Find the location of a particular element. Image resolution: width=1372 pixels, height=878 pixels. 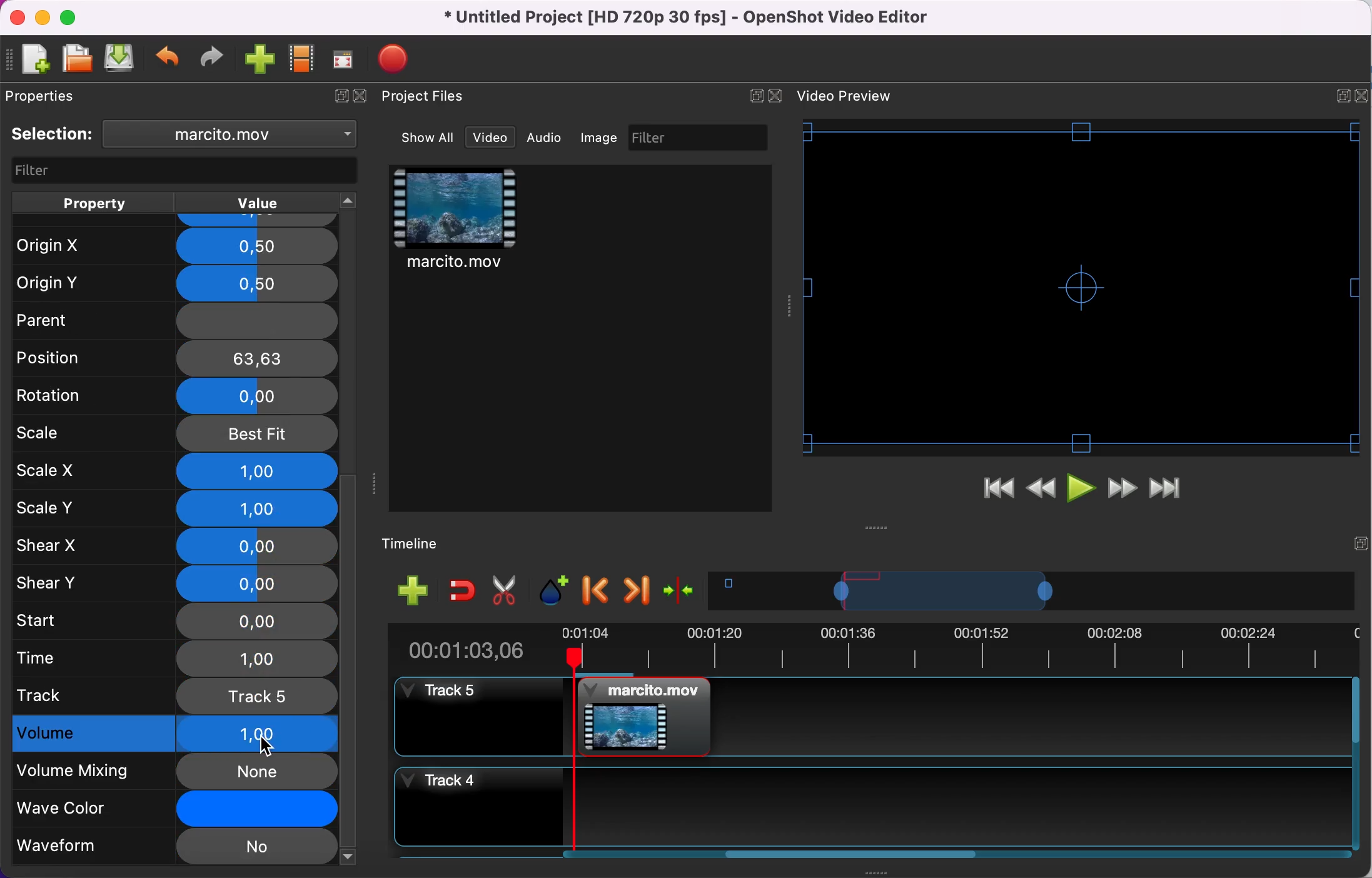

rotation 0 is located at coordinates (175, 398).